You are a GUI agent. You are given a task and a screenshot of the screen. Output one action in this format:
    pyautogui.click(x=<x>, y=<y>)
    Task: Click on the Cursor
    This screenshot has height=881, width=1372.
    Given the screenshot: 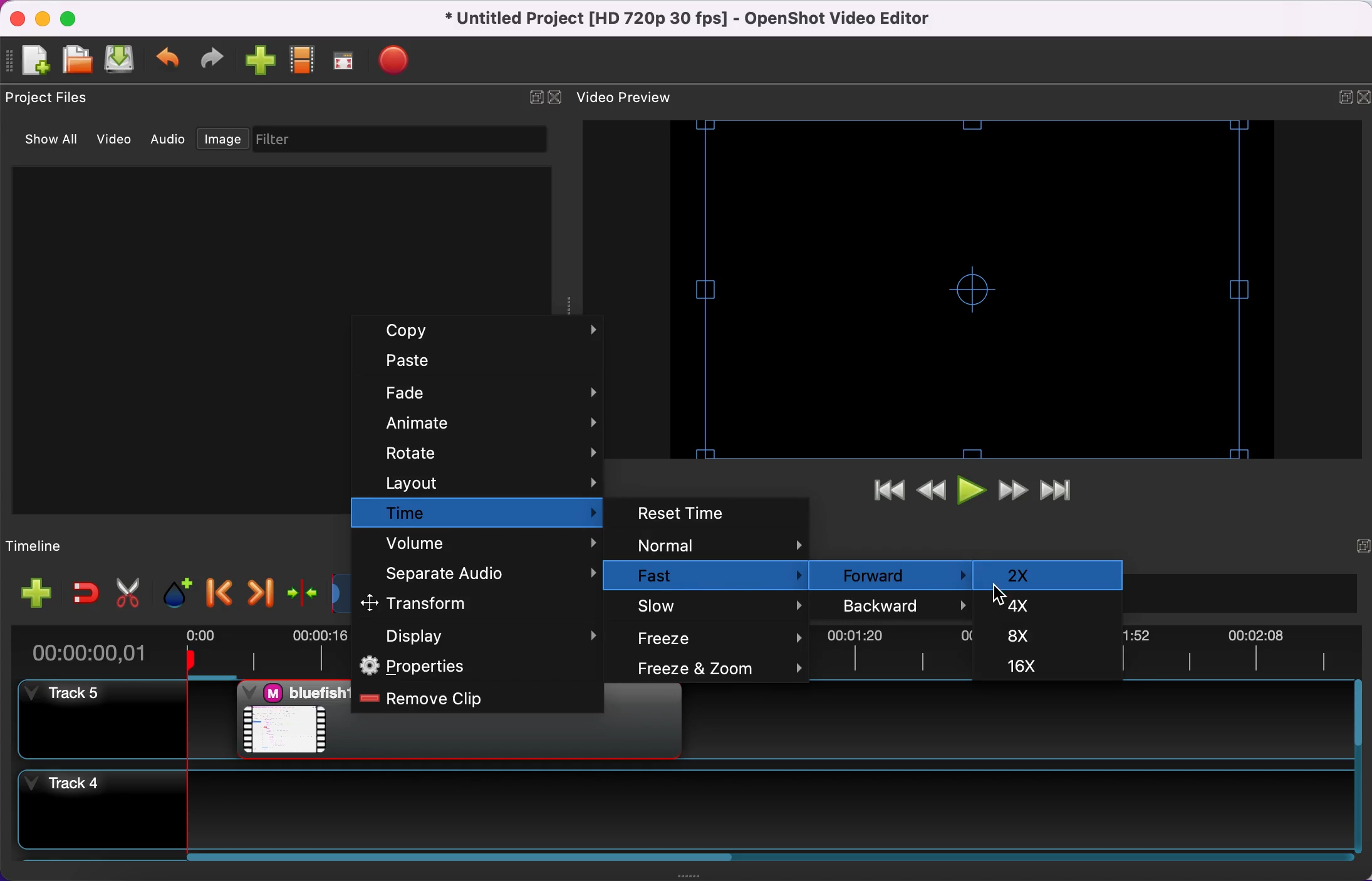 What is the action you would take?
    pyautogui.click(x=1005, y=594)
    